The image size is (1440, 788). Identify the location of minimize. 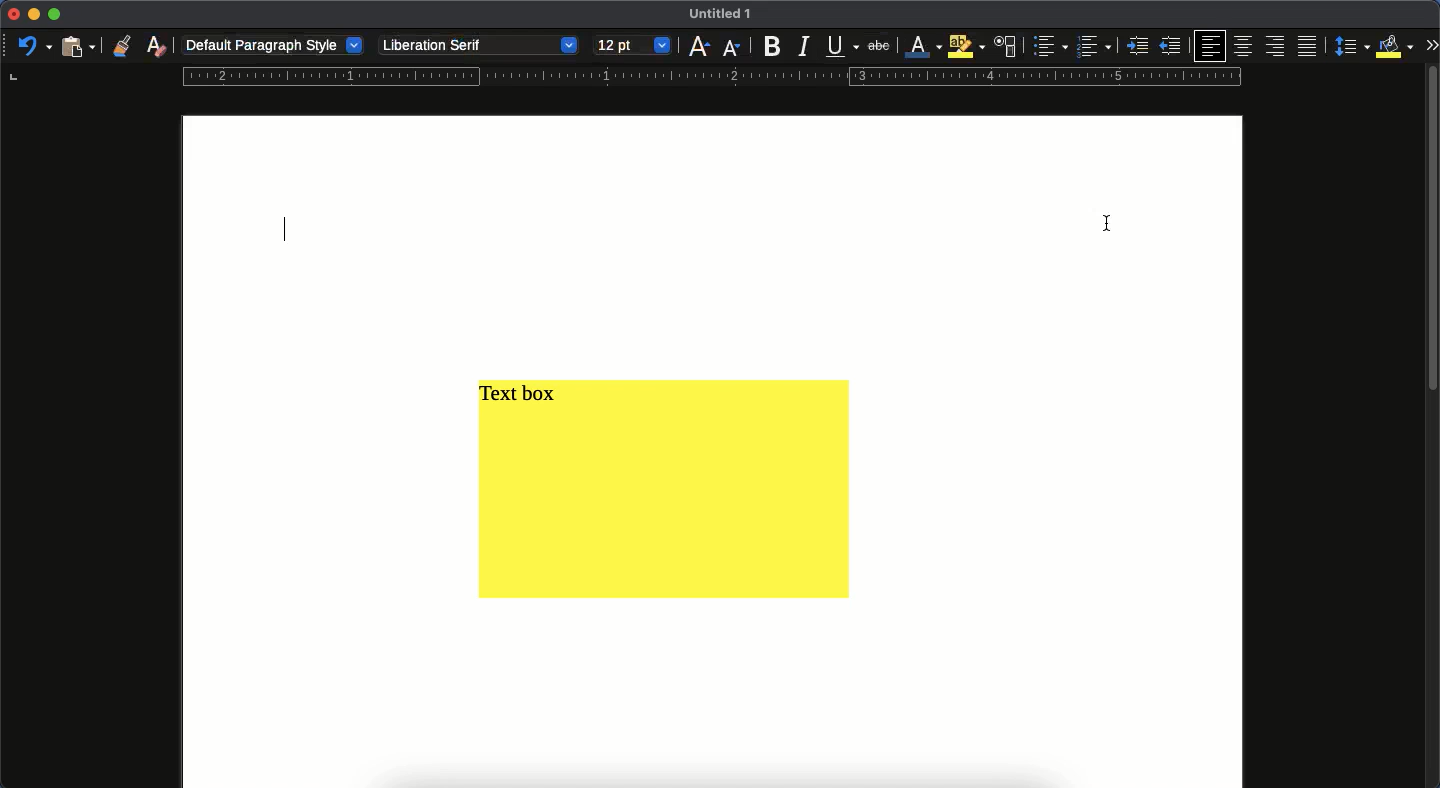
(33, 15).